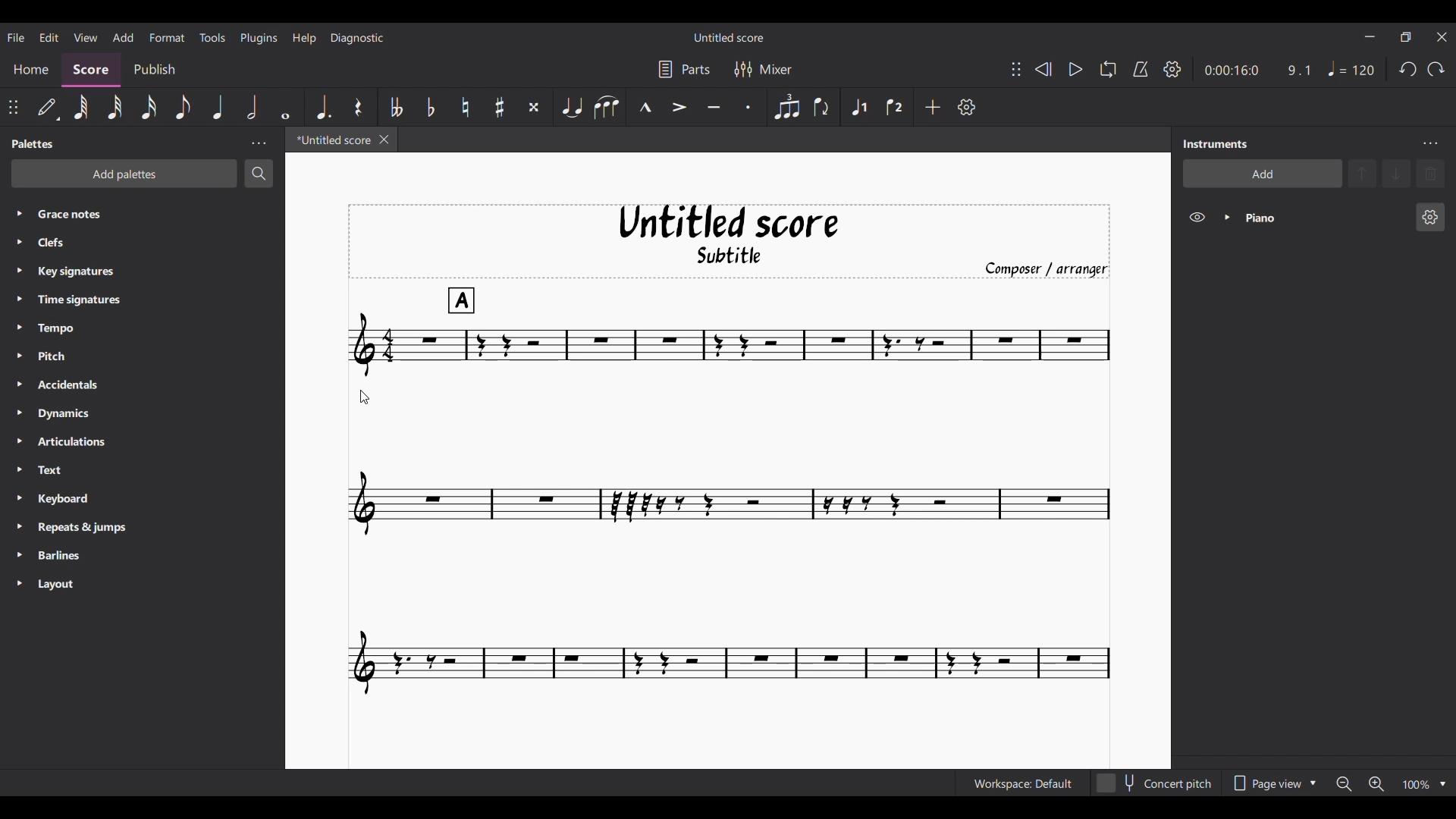 This screenshot has width=1456, height=819. What do you see at coordinates (260, 37) in the screenshot?
I see `Plugins menu` at bounding box center [260, 37].